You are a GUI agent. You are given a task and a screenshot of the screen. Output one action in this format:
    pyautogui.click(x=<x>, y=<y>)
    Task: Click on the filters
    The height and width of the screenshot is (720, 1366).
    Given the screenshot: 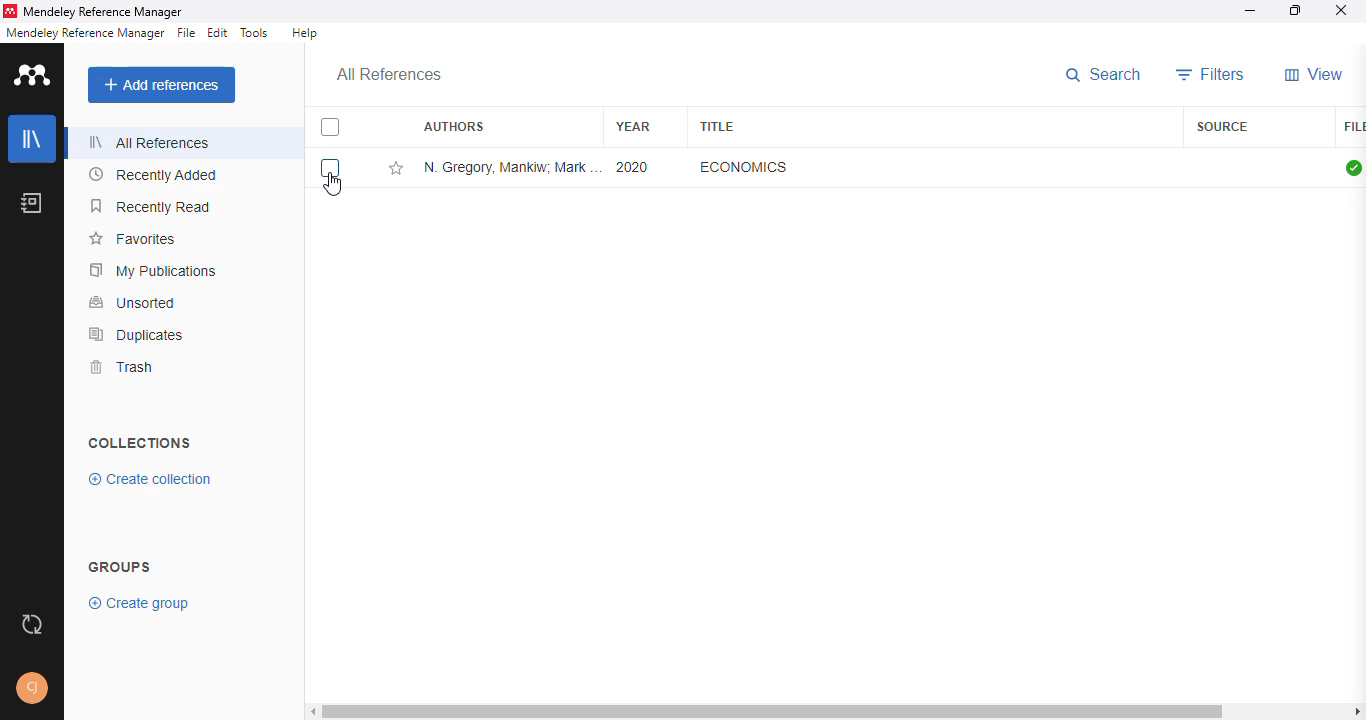 What is the action you would take?
    pyautogui.click(x=1210, y=75)
    